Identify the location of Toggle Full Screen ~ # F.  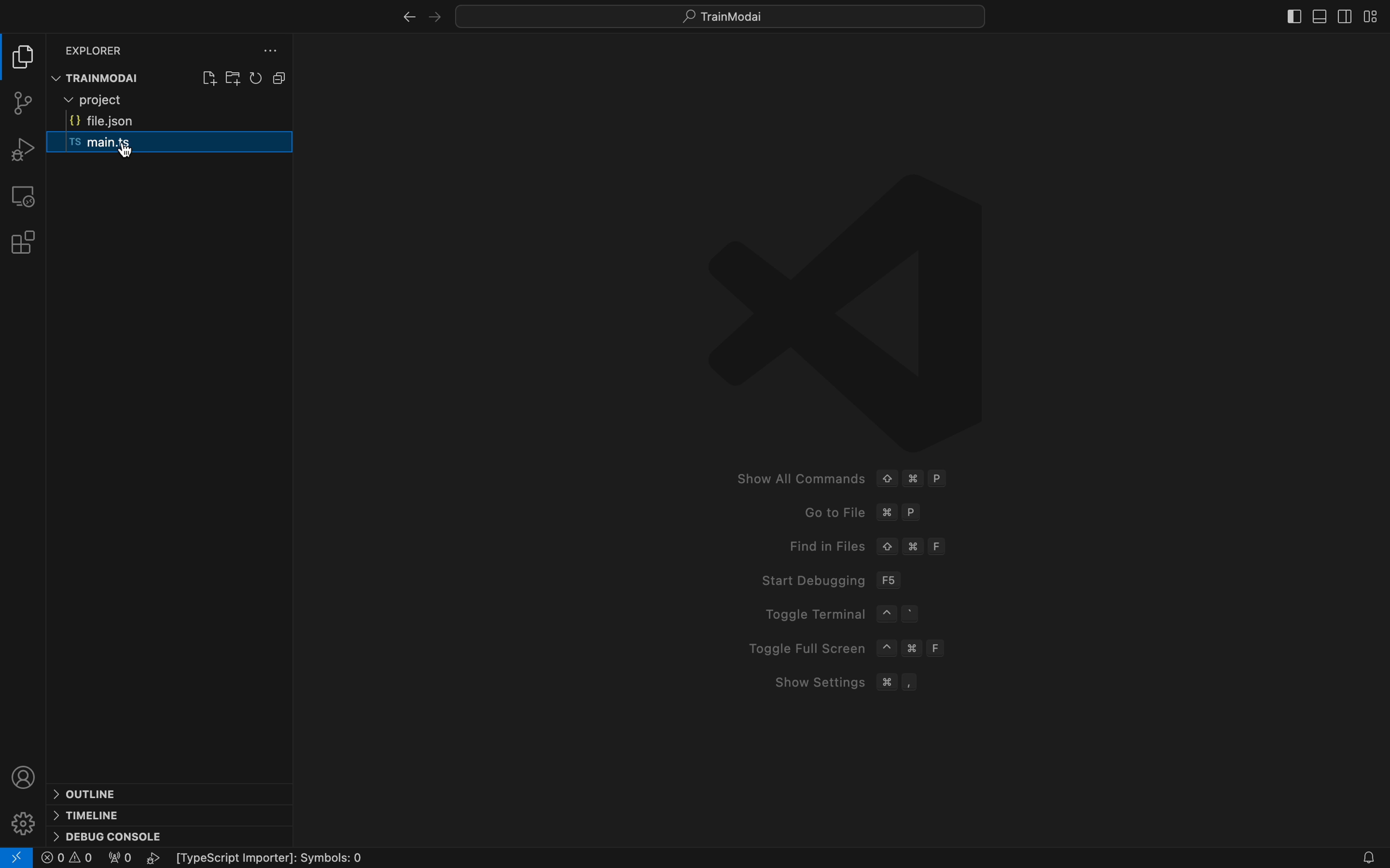
(837, 648).